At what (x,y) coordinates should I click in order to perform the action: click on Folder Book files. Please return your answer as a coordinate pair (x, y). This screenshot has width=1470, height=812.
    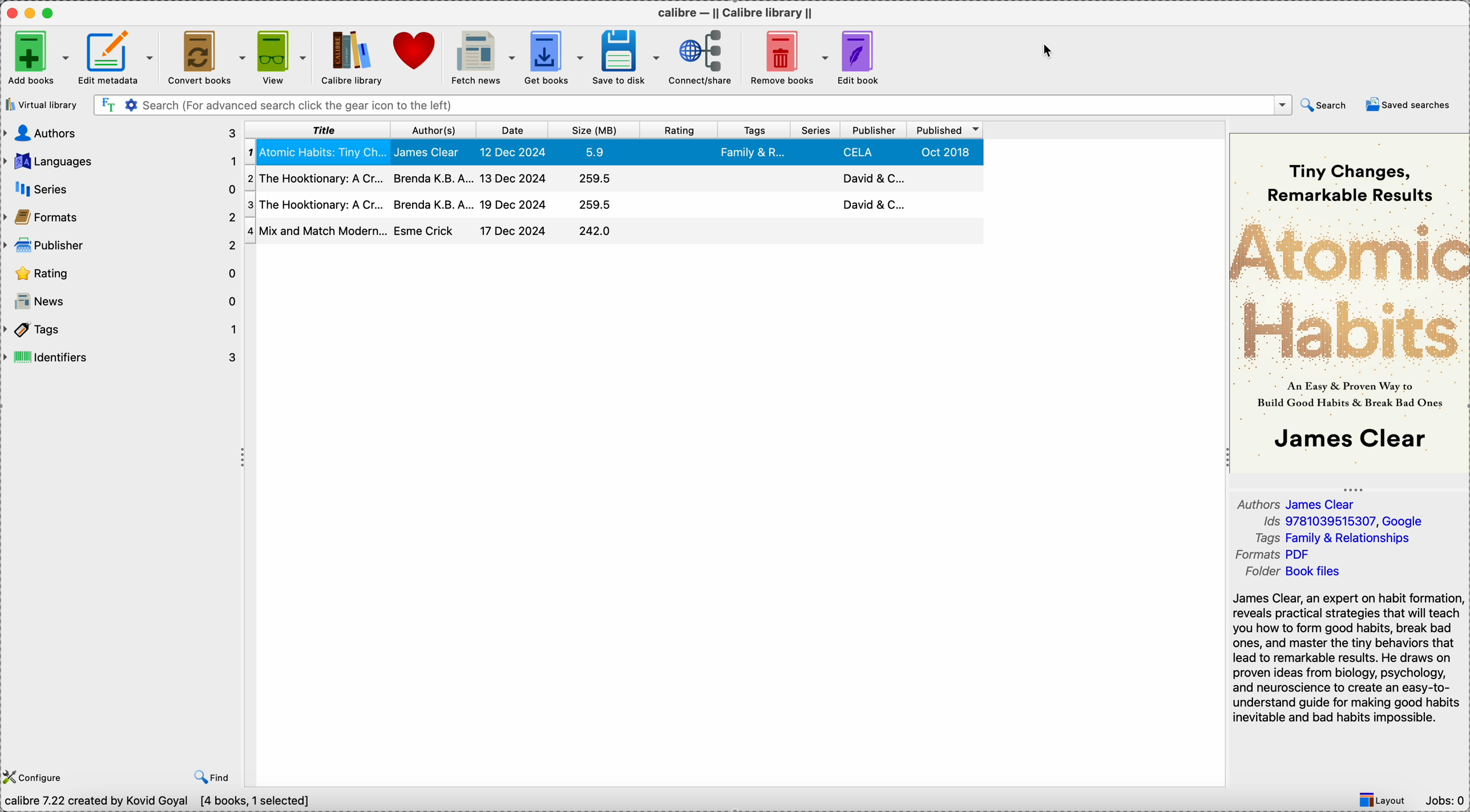
    Looking at the image, I should click on (1295, 573).